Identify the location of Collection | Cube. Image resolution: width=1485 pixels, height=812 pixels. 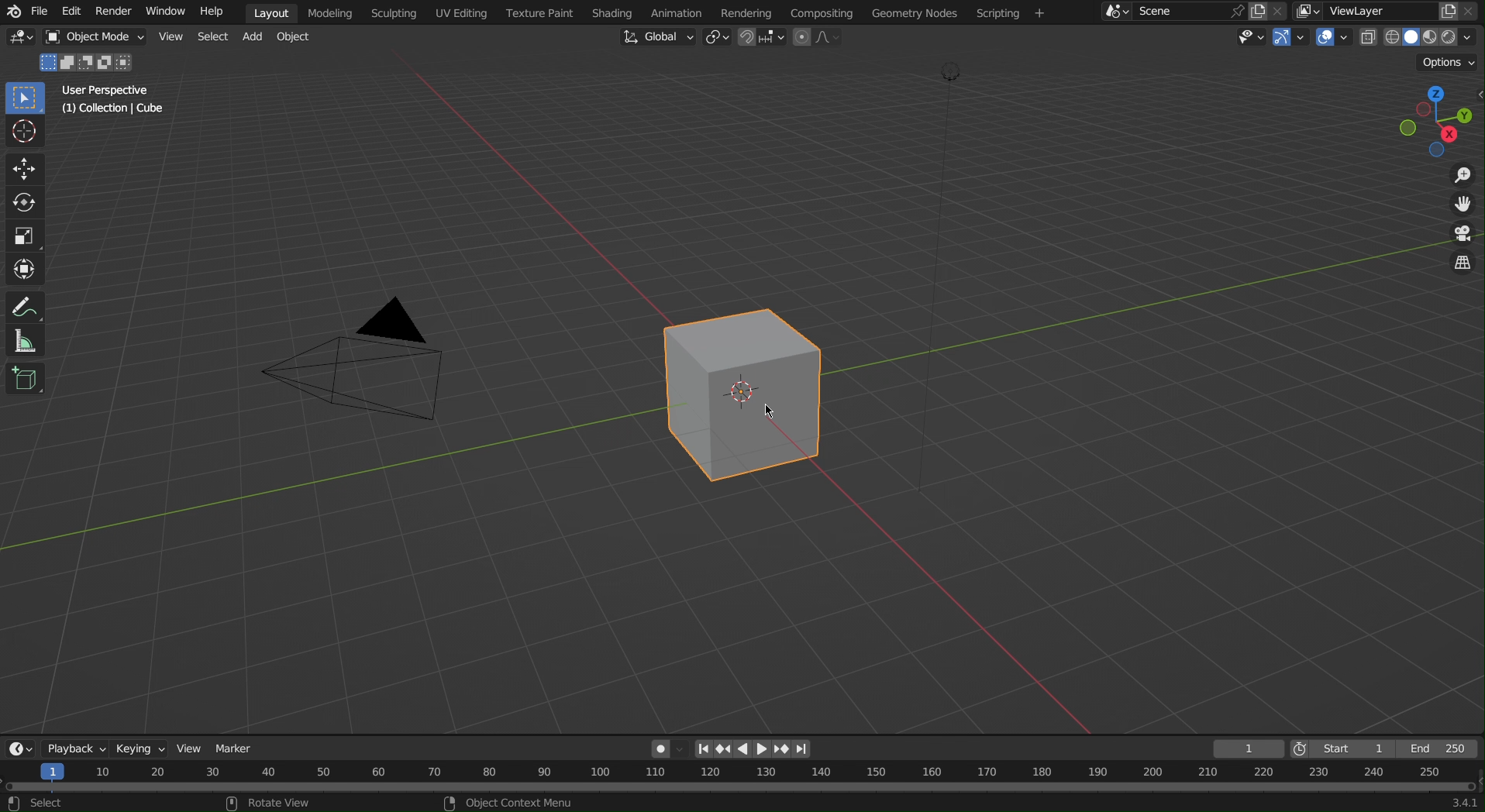
(109, 112).